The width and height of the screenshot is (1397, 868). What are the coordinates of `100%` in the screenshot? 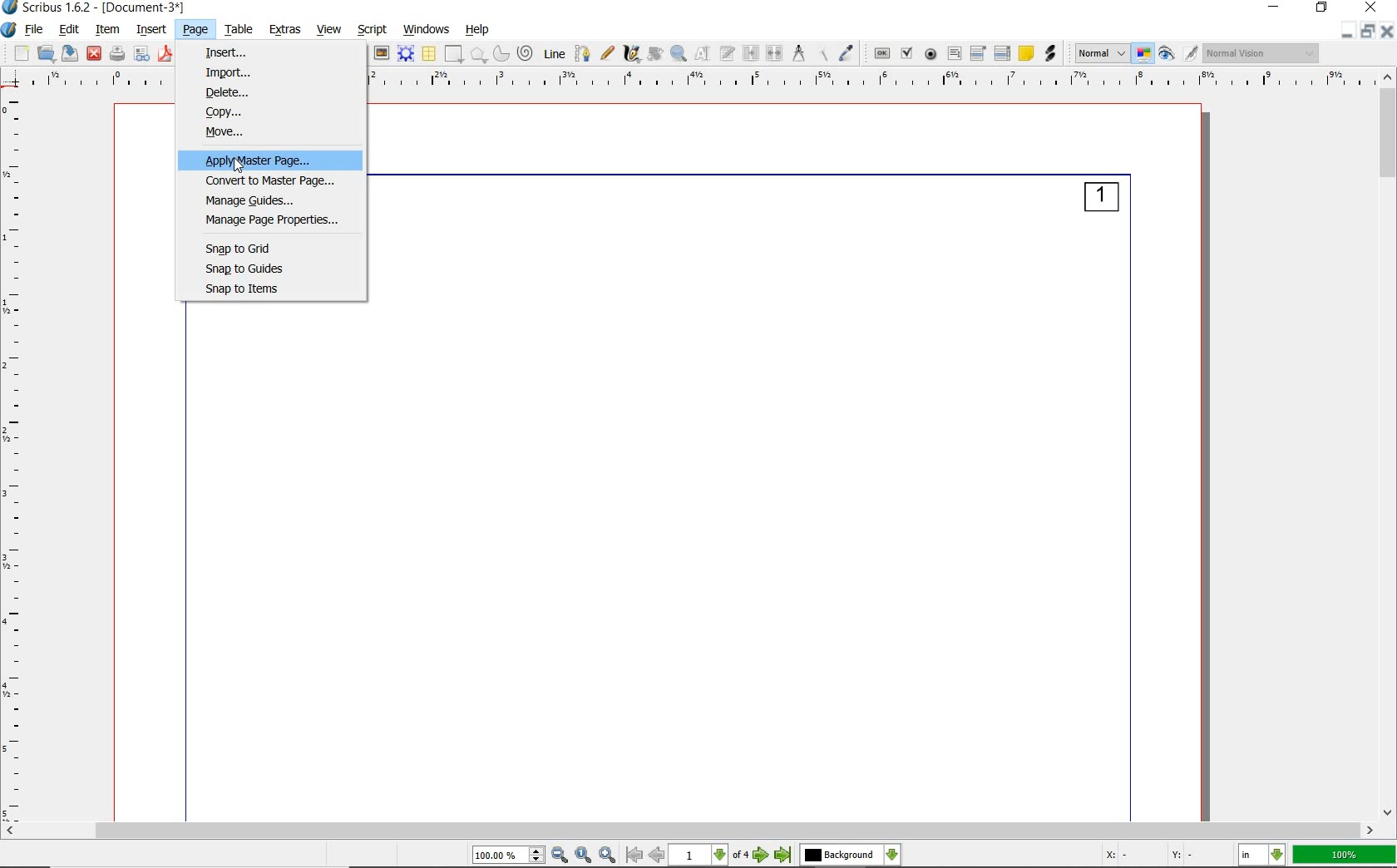 It's located at (1345, 856).